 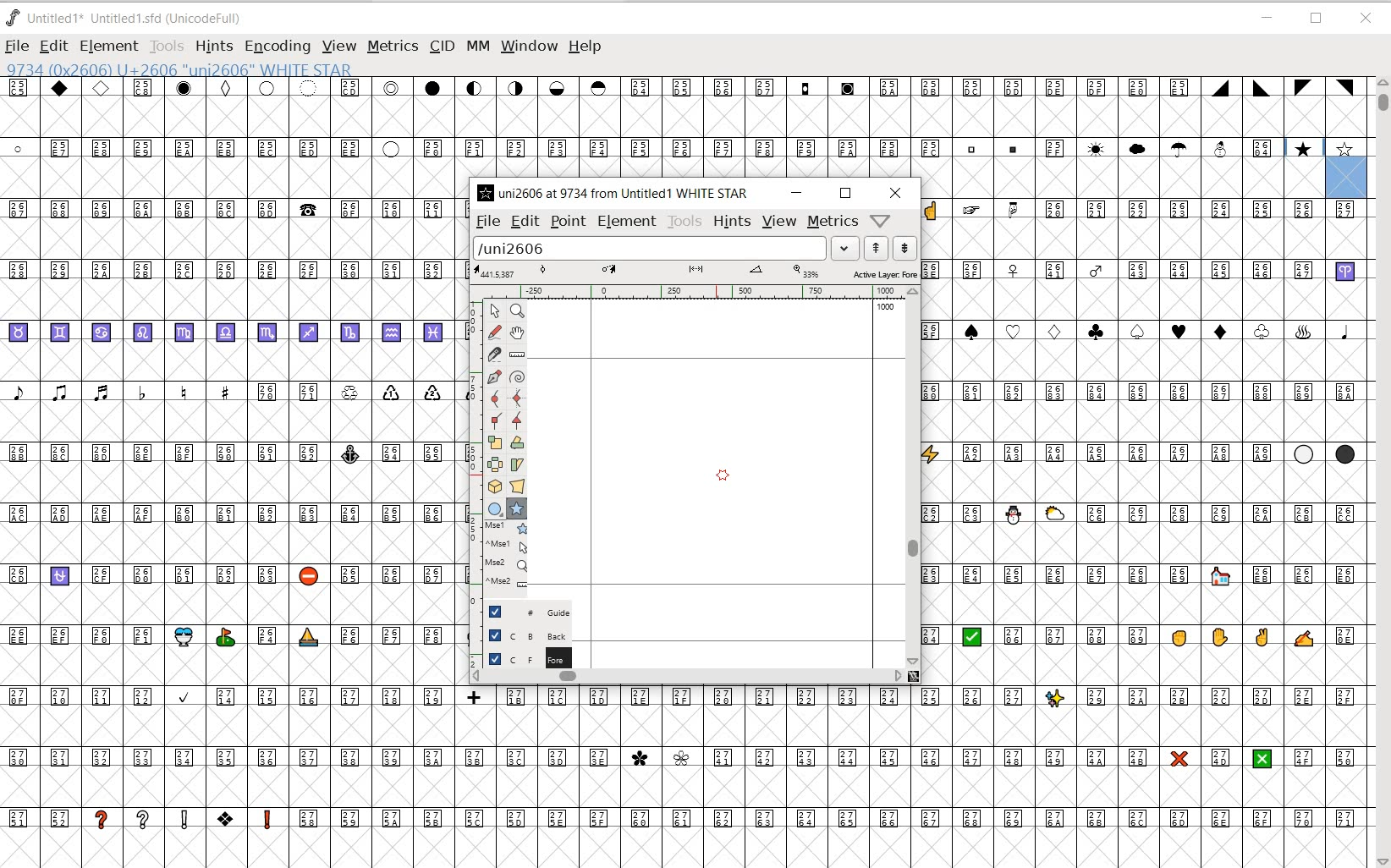 I want to click on PERFORM A PERSPECTIVE TRANSFORMATION ON THE SELECTION, so click(x=518, y=486).